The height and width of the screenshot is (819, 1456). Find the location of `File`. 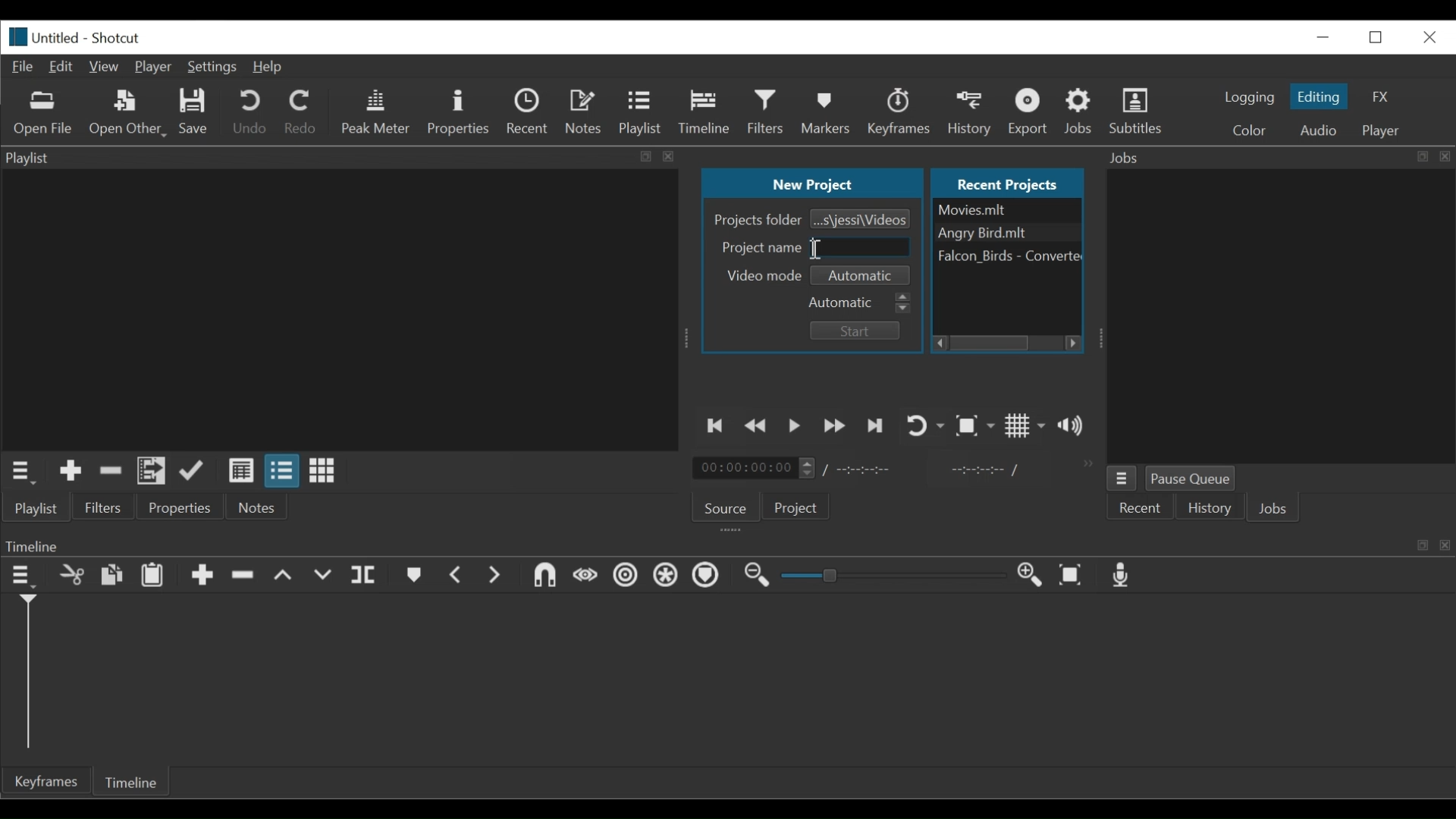

File is located at coordinates (24, 68).